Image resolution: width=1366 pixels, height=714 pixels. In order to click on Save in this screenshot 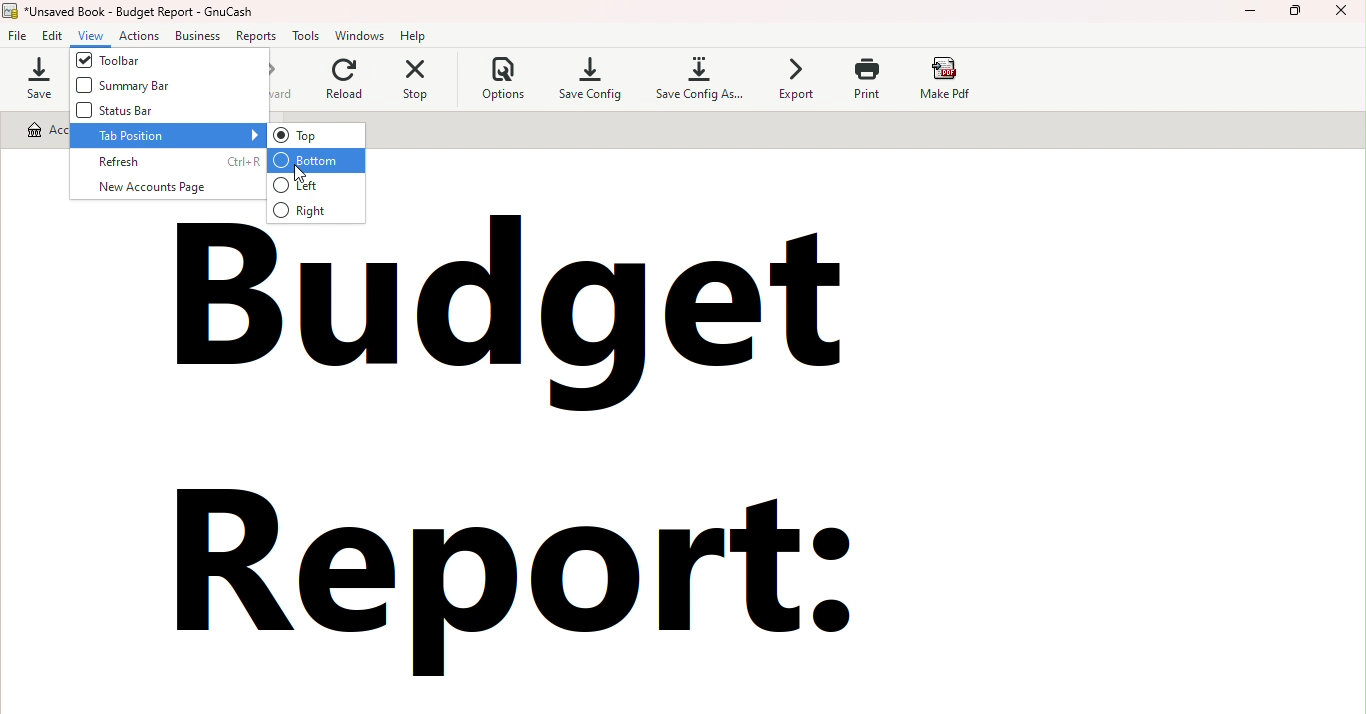, I will do `click(33, 78)`.